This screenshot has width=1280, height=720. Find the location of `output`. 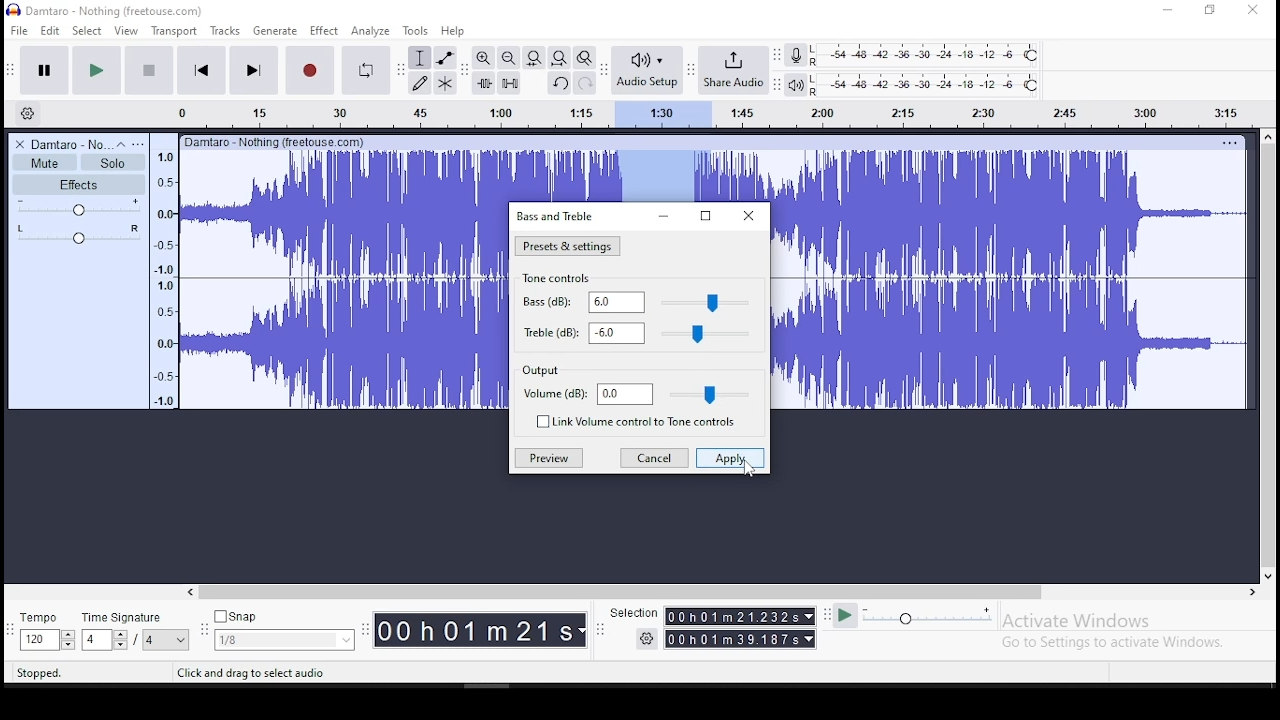

output is located at coordinates (541, 372).